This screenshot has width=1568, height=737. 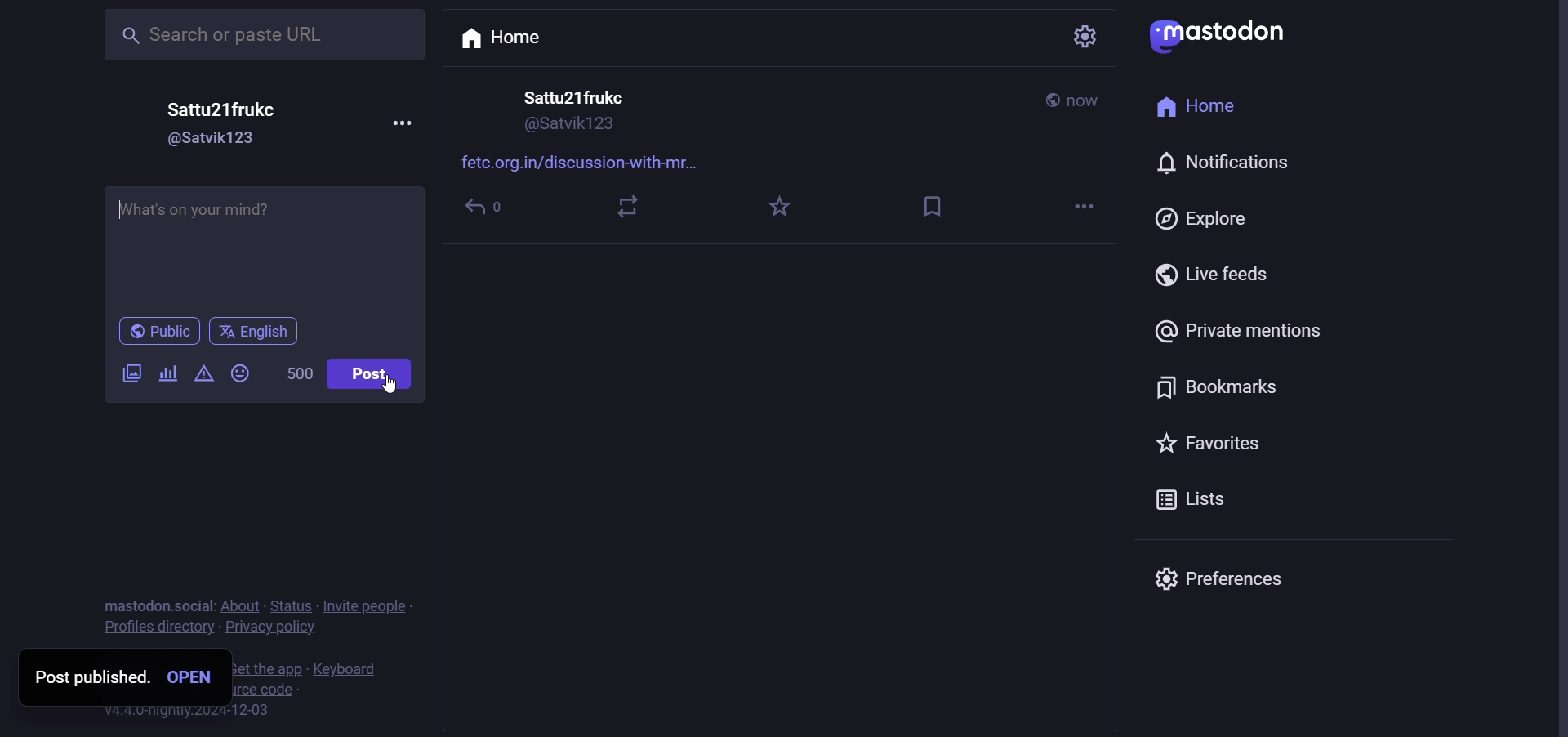 I want to click on open, so click(x=191, y=676).